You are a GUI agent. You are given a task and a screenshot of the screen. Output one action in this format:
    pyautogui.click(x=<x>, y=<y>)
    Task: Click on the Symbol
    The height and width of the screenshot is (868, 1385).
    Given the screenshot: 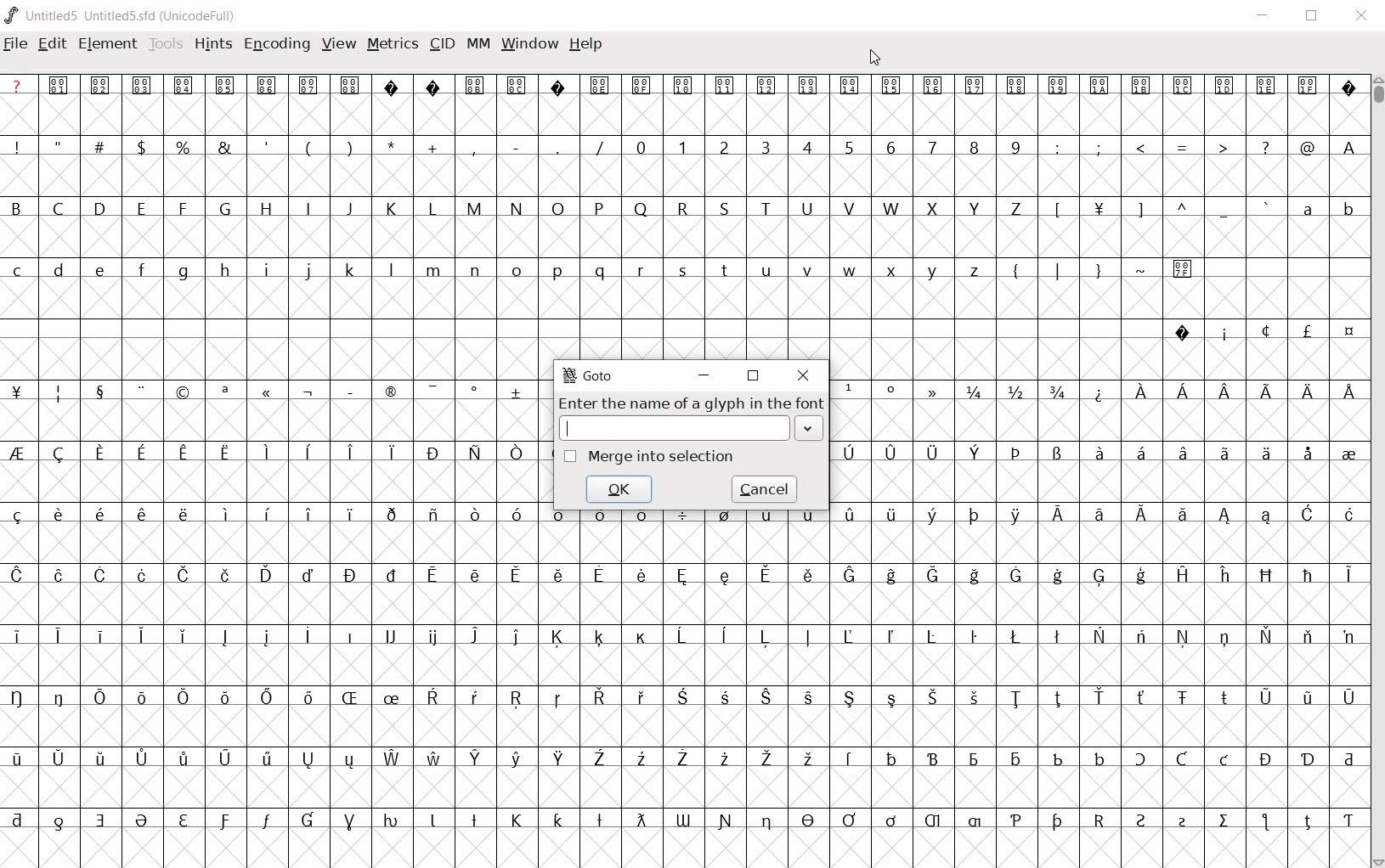 What is the action you would take?
    pyautogui.click(x=473, y=576)
    